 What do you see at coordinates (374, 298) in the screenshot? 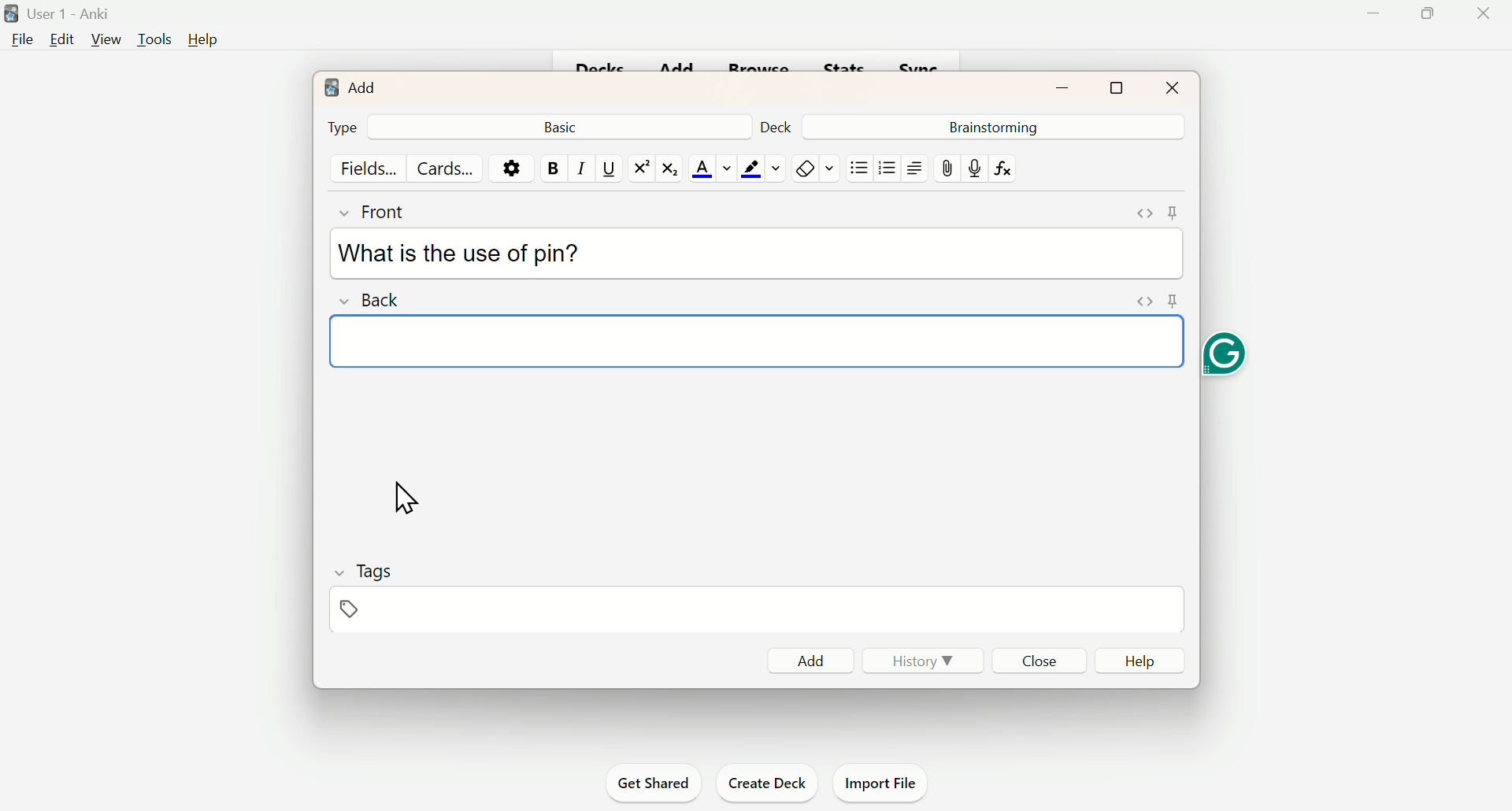
I see `Back` at bounding box center [374, 298].